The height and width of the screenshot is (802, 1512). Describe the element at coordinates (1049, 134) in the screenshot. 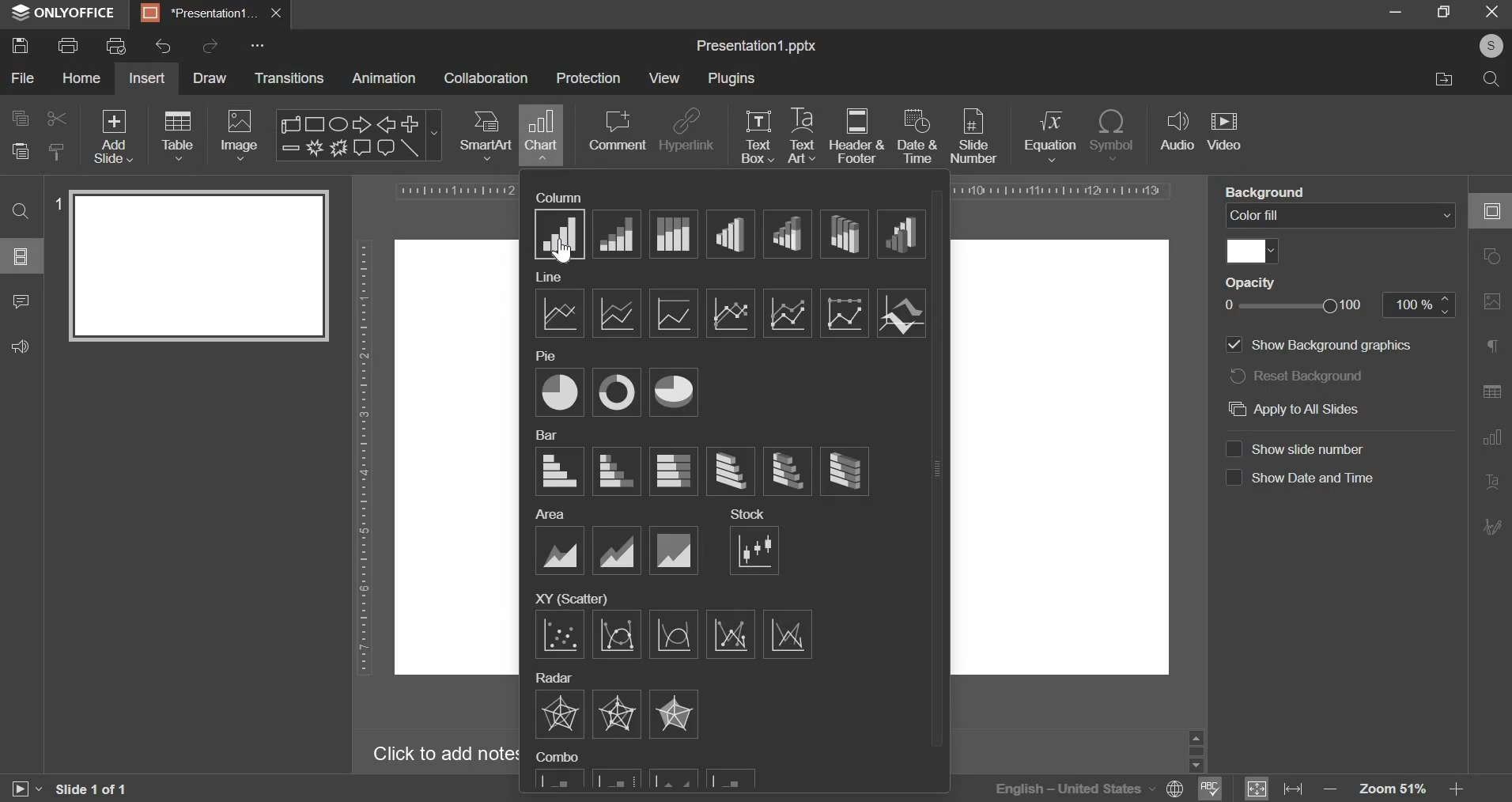

I see `equation` at that location.